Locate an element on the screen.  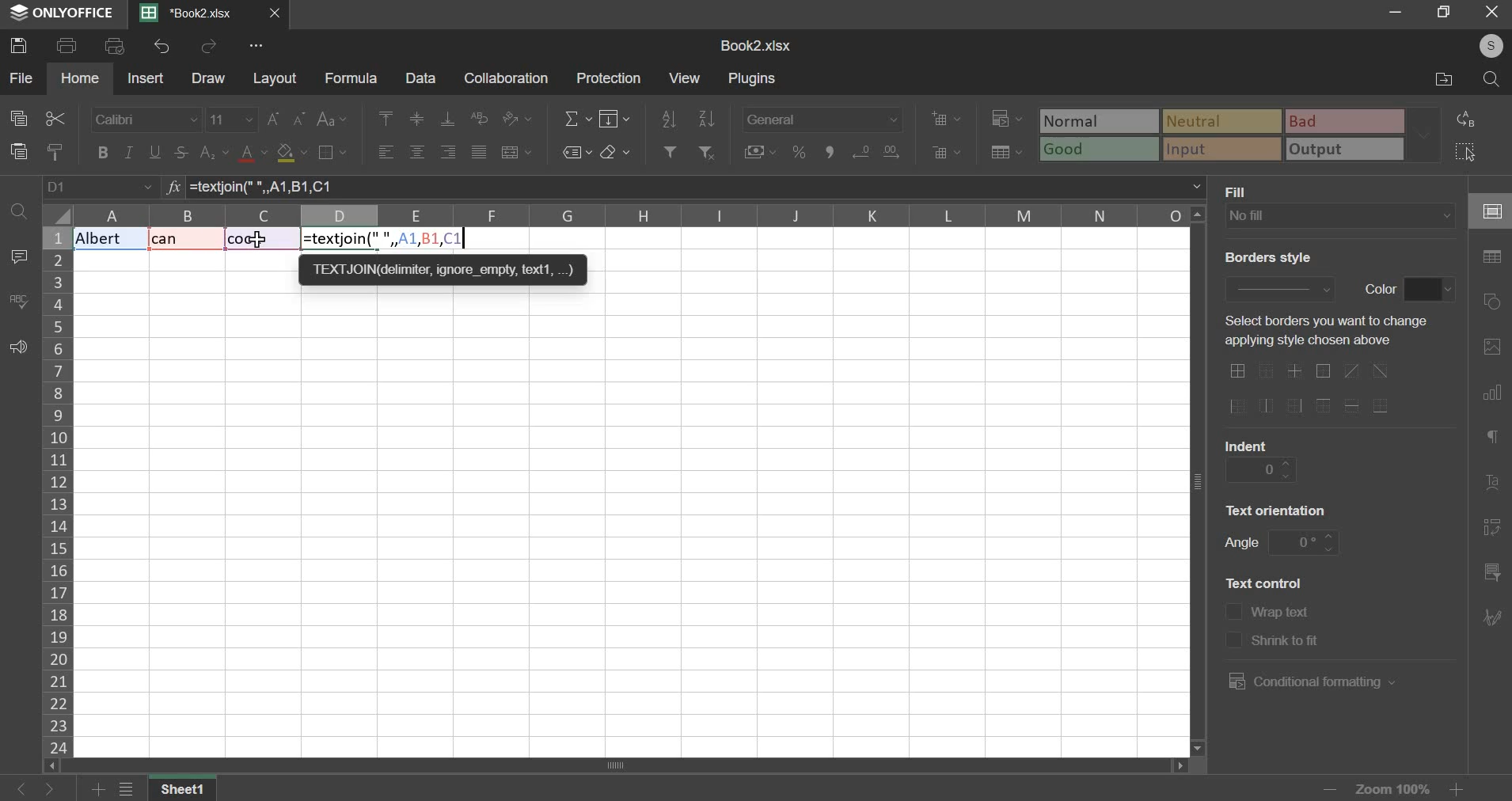
find is located at coordinates (17, 209).